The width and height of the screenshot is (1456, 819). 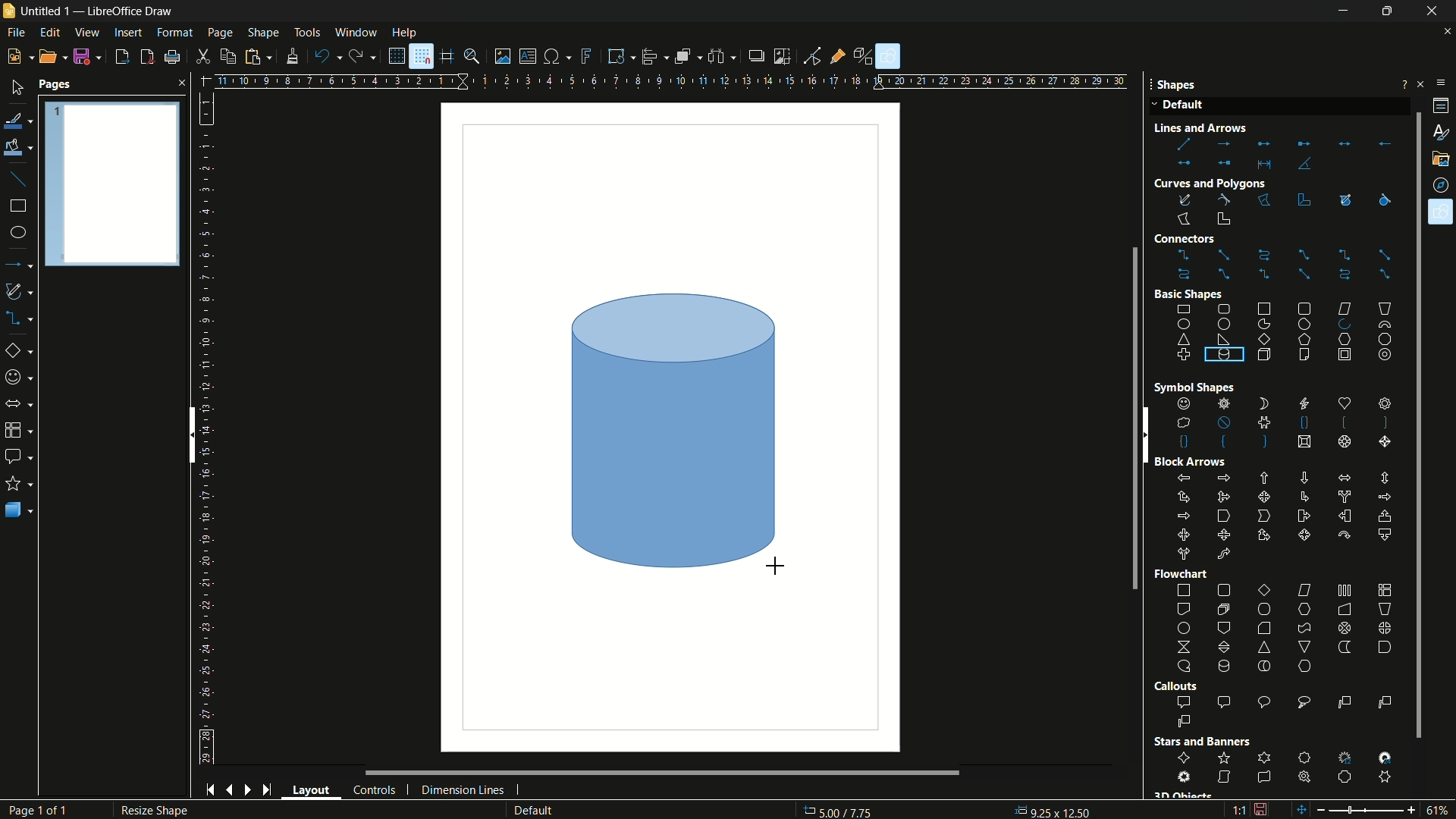 I want to click on export, so click(x=123, y=58).